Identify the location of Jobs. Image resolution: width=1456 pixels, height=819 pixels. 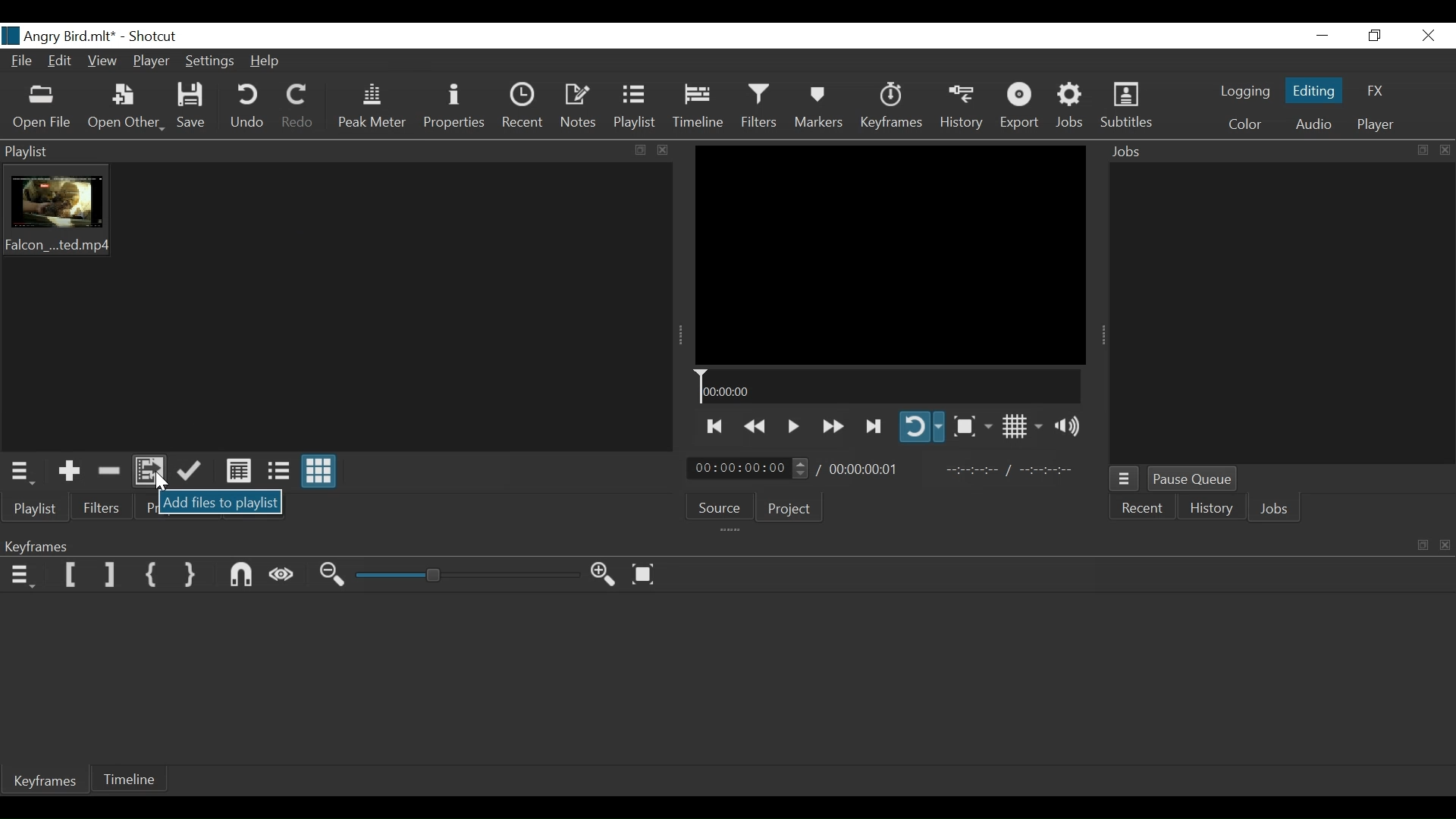
(1275, 510).